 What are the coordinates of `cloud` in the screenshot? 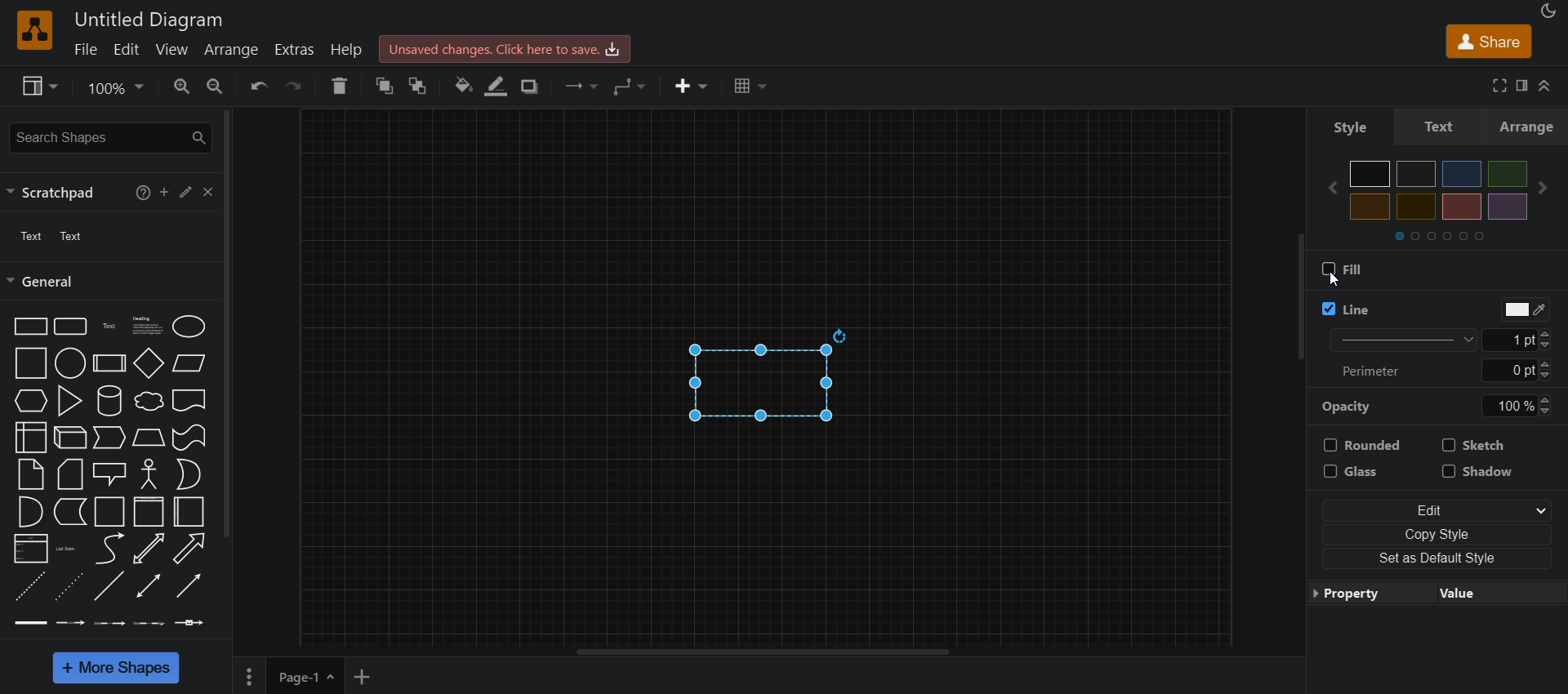 It's located at (149, 403).